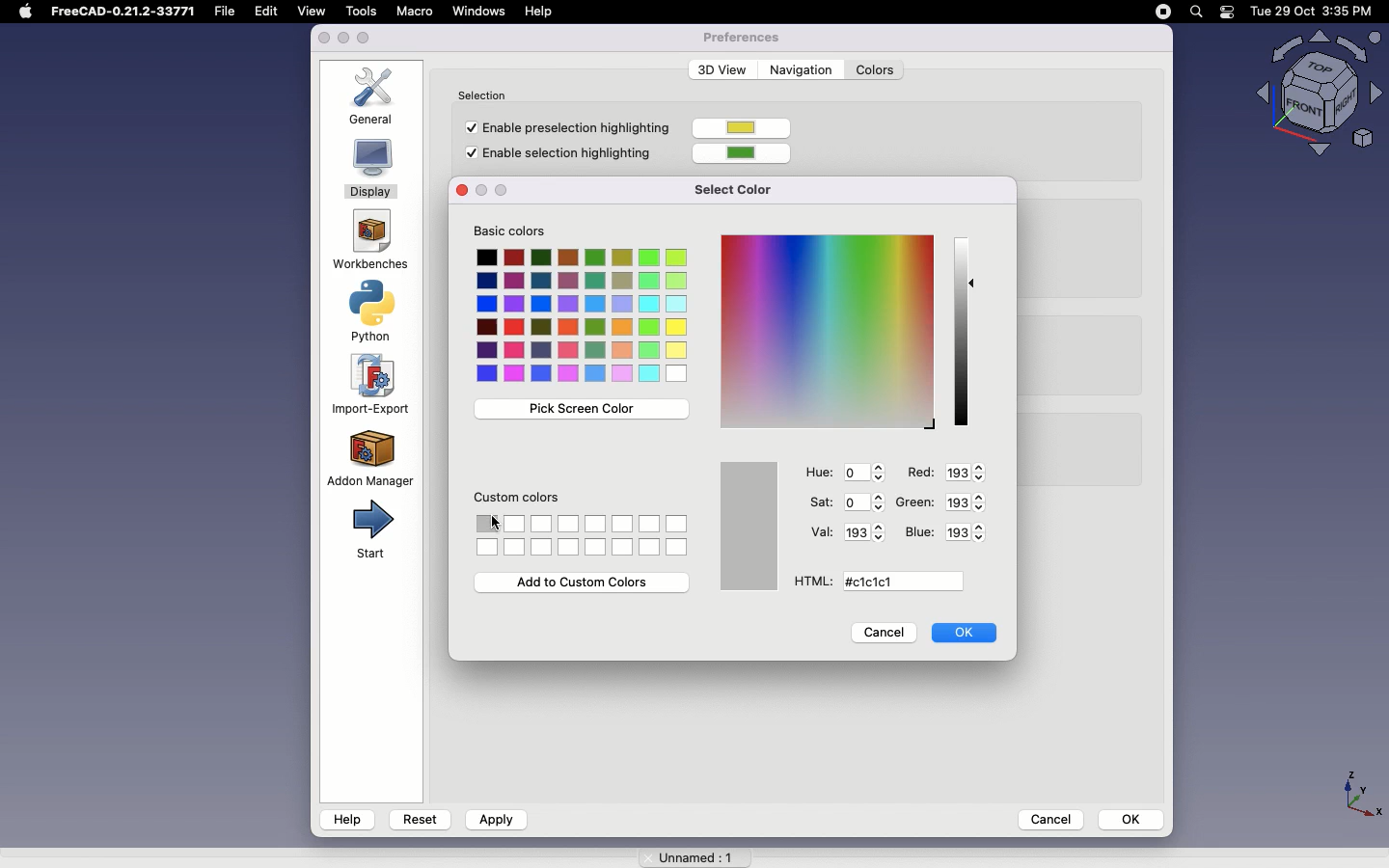 This screenshot has height=868, width=1389. What do you see at coordinates (324, 39) in the screenshot?
I see `close` at bounding box center [324, 39].